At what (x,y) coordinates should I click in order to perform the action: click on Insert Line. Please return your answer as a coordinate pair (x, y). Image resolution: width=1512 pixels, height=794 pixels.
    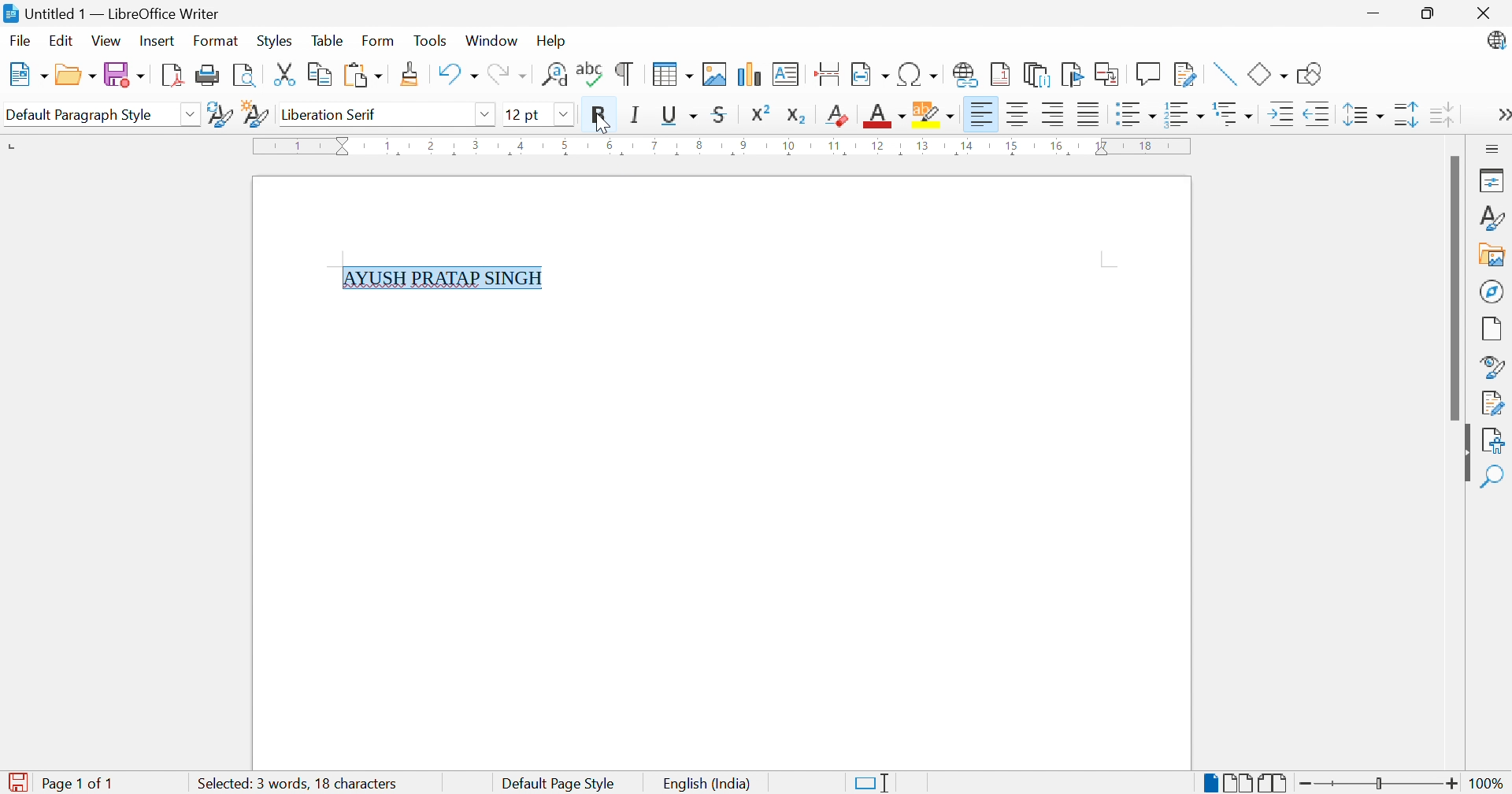
    Looking at the image, I should click on (1225, 73).